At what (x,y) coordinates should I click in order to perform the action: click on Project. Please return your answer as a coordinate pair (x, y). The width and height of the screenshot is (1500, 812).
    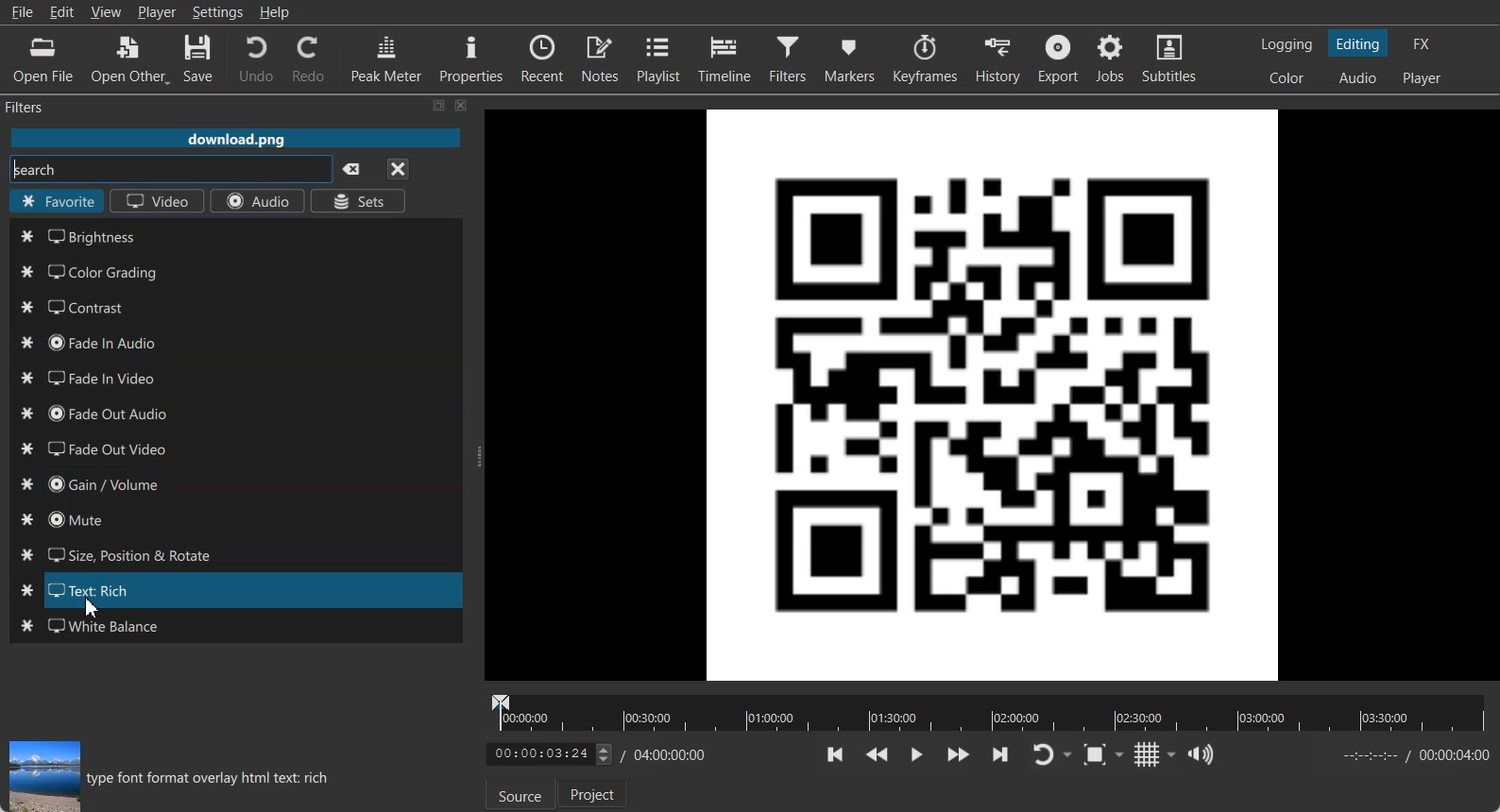
    Looking at the image, I should click on (594, 793).